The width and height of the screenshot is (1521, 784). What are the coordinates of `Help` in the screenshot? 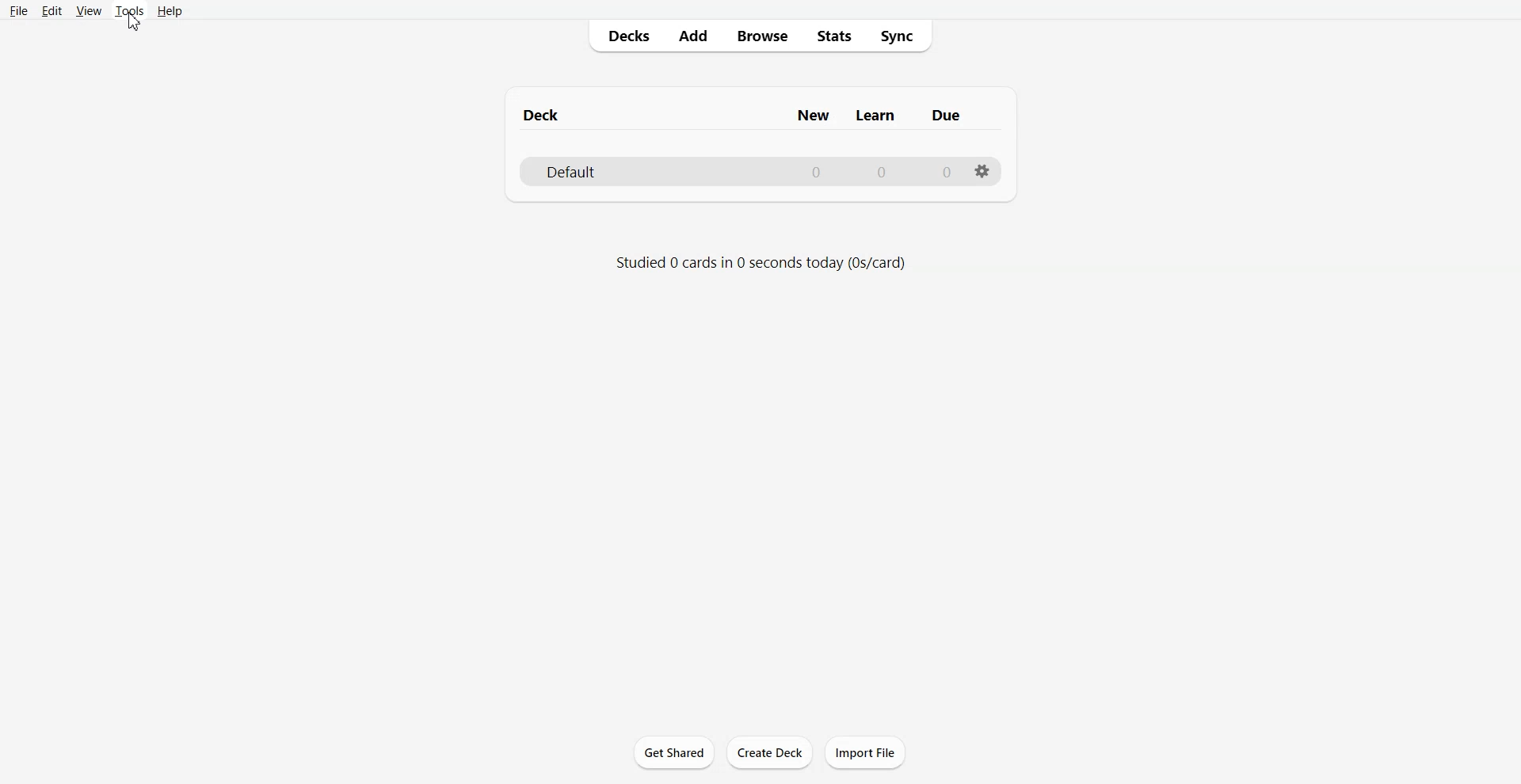 It's located at (169, 10).